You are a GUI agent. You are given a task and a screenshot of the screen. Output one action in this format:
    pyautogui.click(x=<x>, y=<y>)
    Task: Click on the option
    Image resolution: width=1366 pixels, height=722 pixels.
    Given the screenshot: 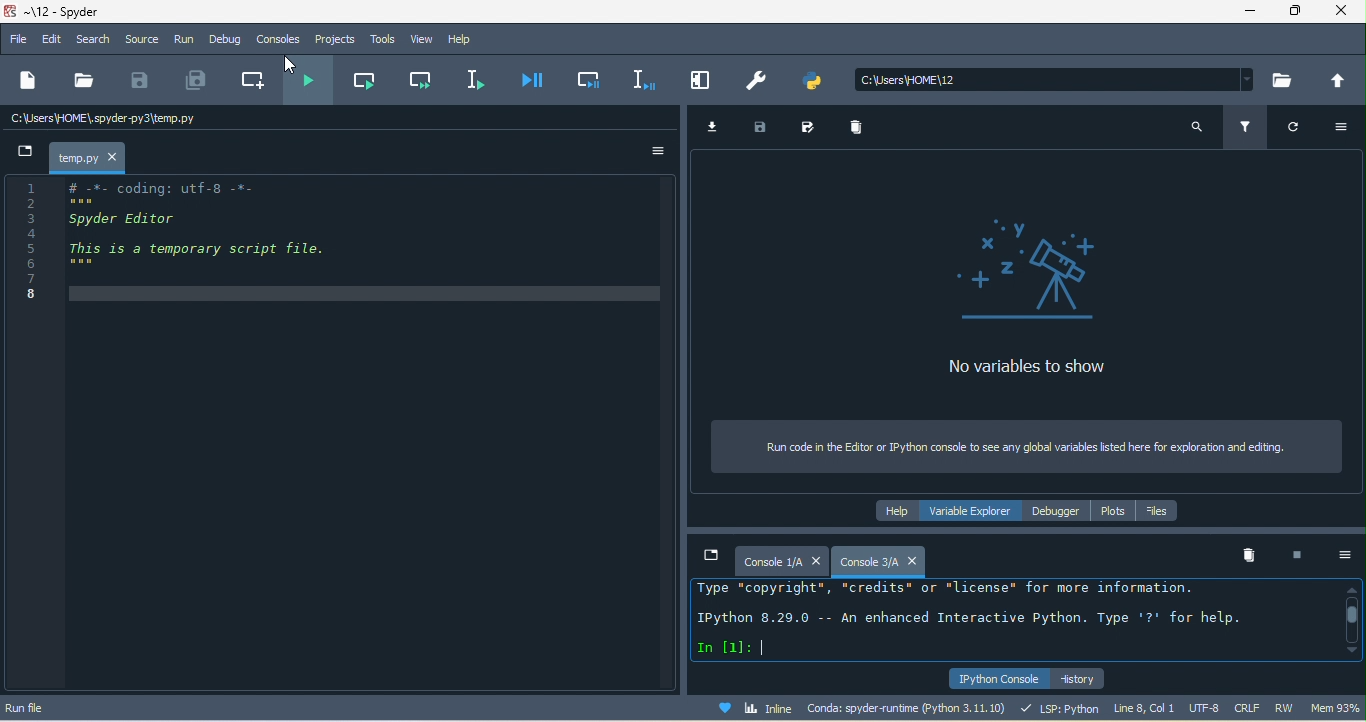 What is the action you would take?
    pyautogui.click(x=657, y=151)
    